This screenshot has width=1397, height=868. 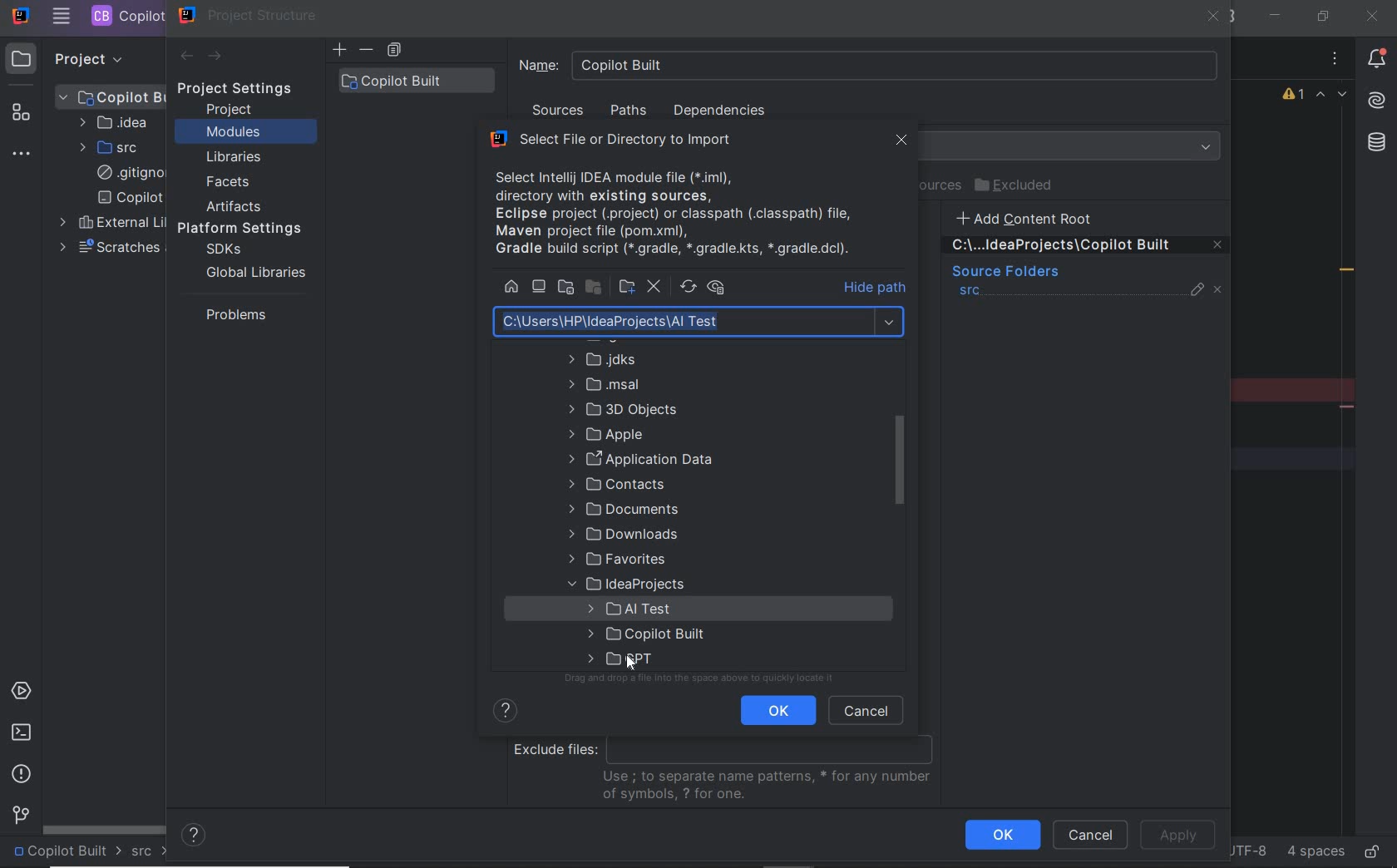 What do you see at coordinates (634, 141) in the screenshot?
I see `select file or directory to import` at bounding box center [634, 141].